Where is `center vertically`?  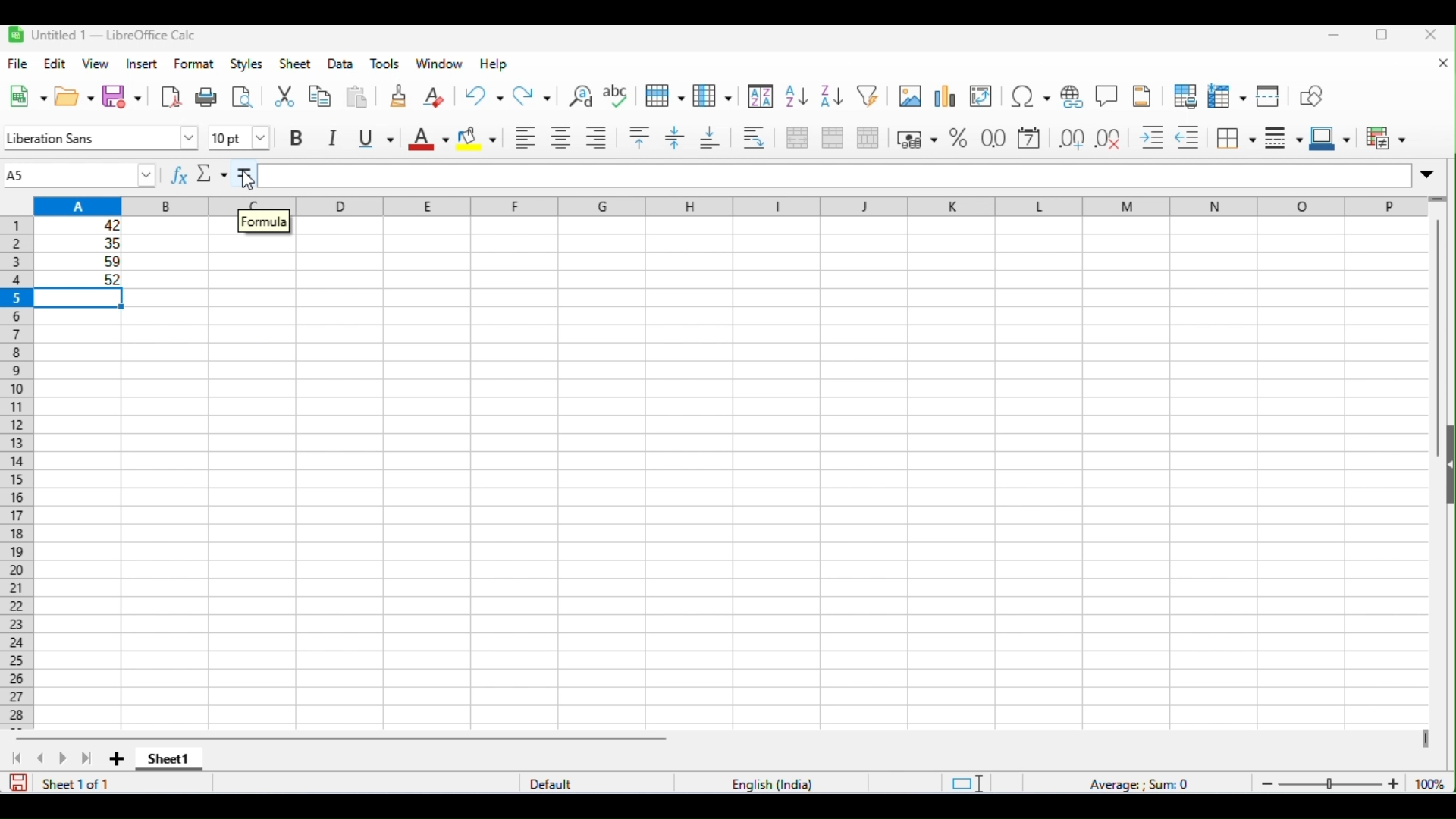
center vertically is located at coordinates (675, 138).